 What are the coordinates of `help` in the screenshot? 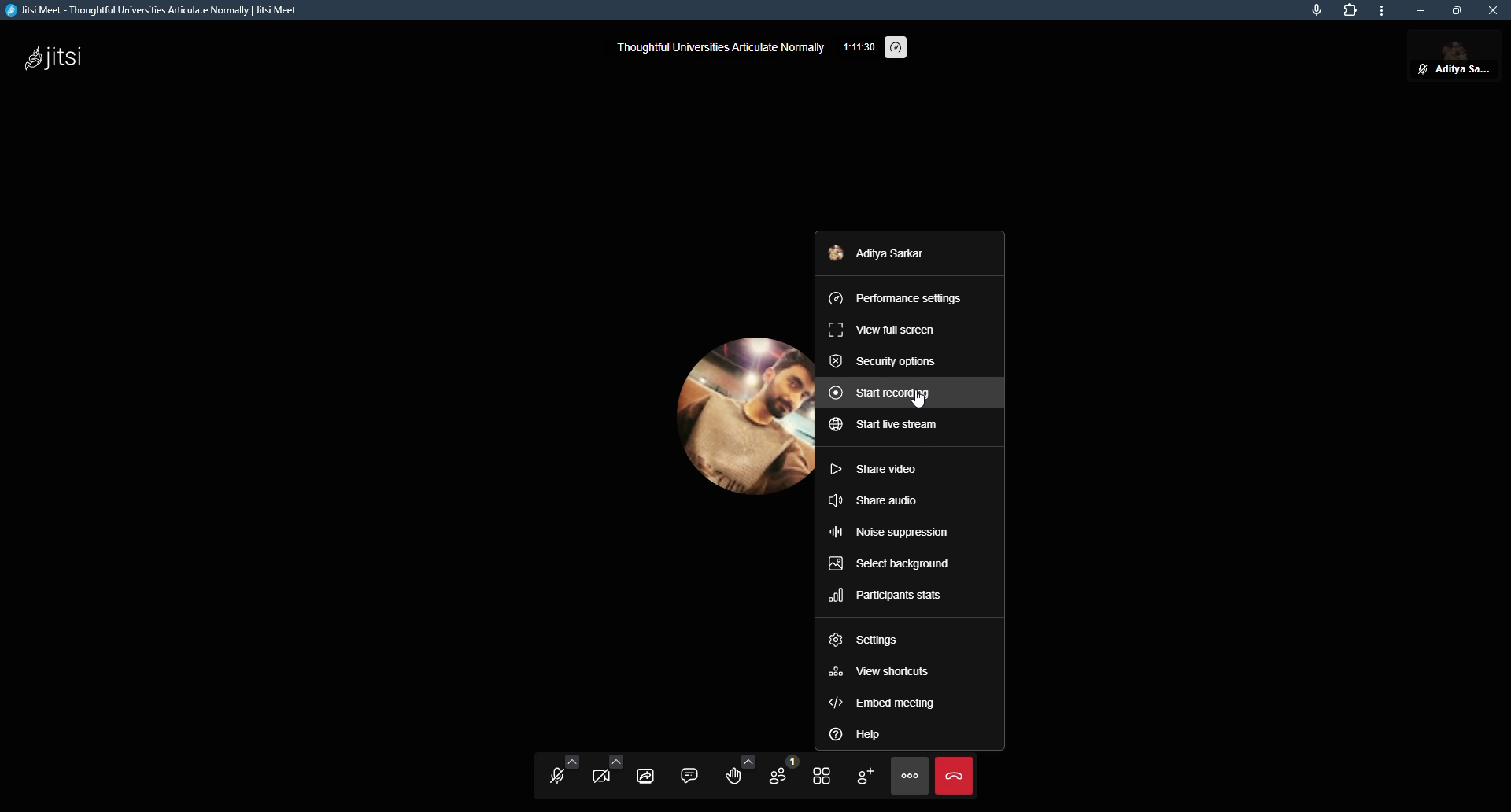 It's located at (857, 733).